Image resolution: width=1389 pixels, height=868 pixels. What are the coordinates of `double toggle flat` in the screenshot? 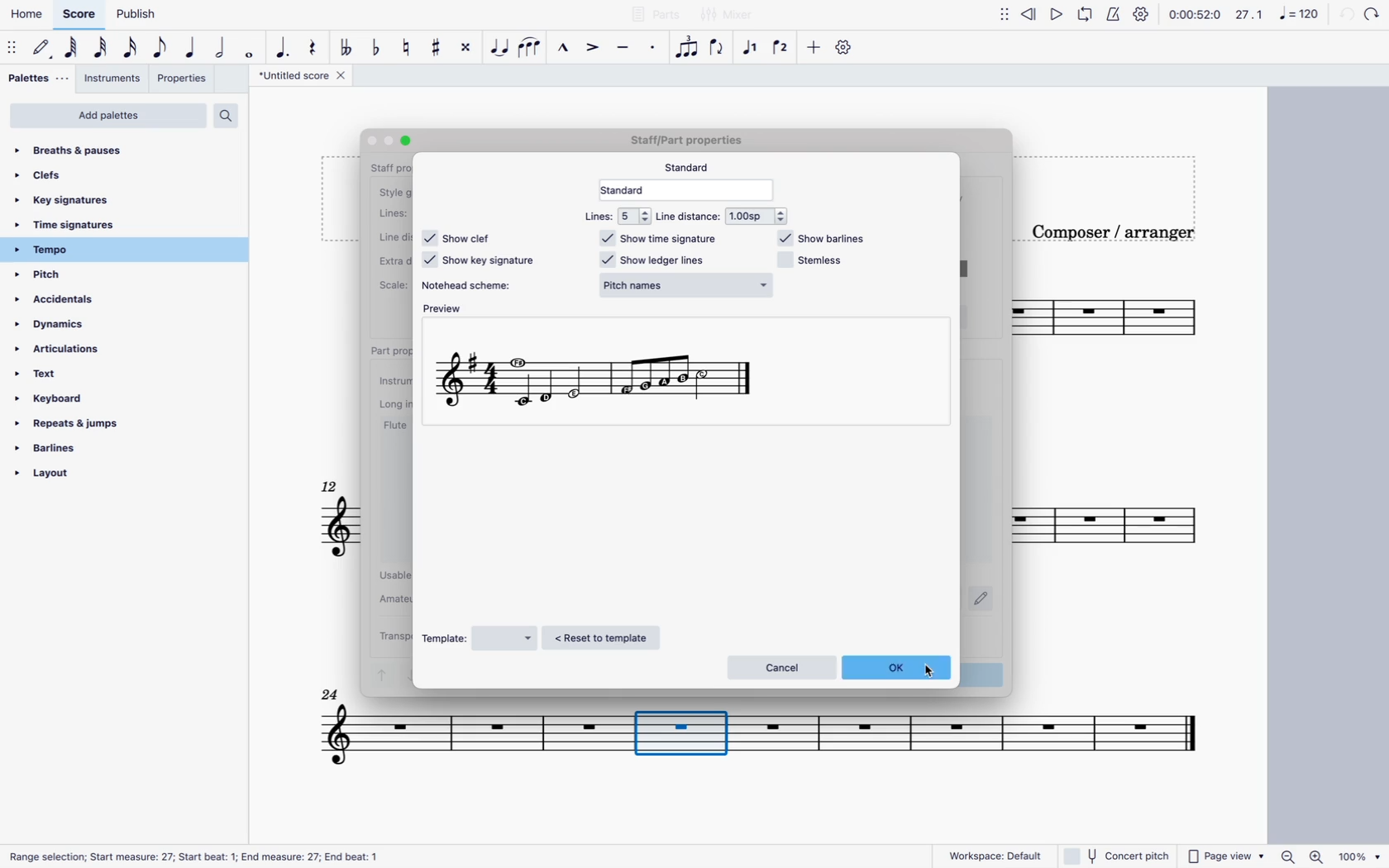 It's located at (346, 48).